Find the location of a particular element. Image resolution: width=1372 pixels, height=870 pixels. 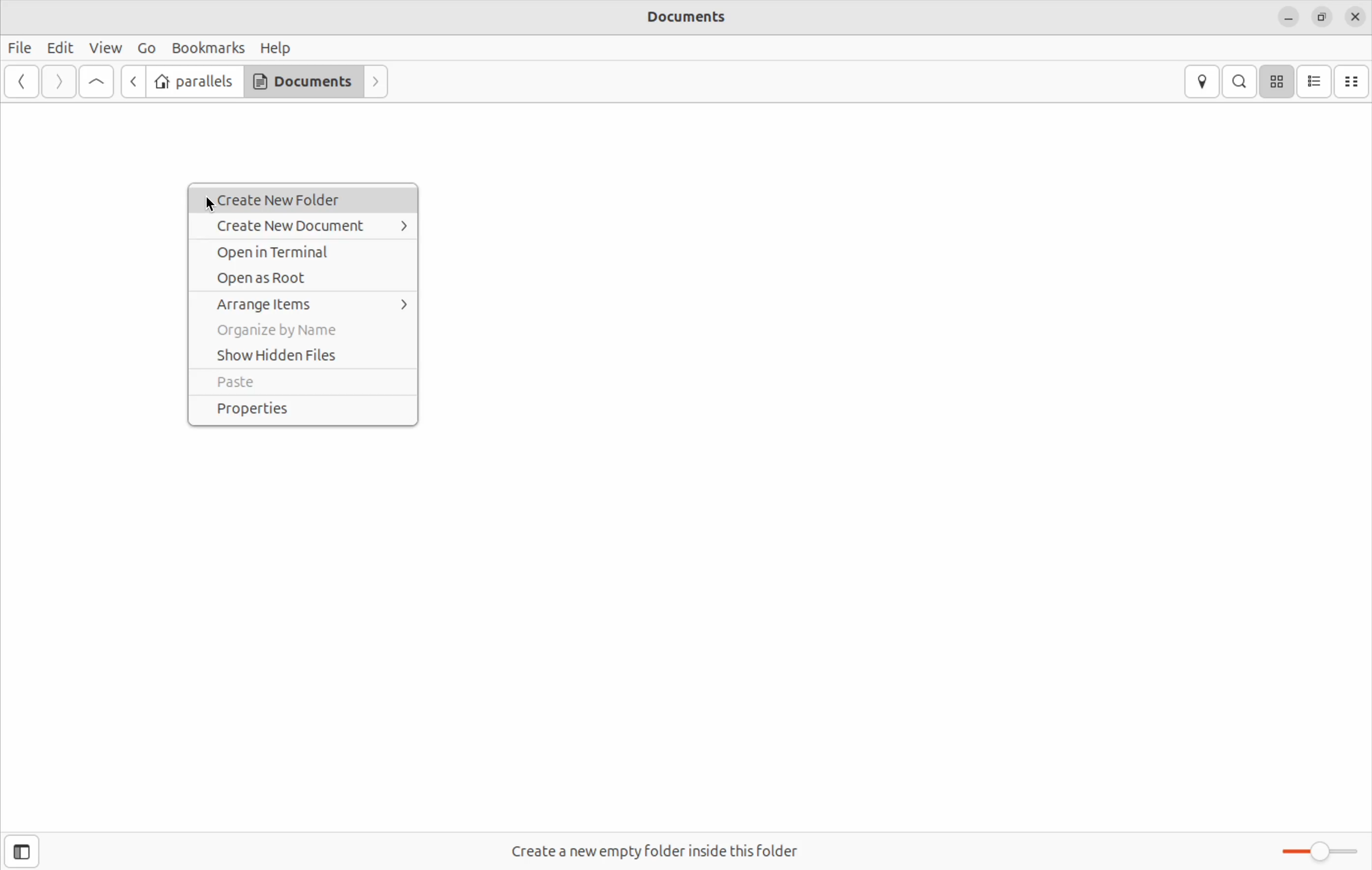

forward is located at coordinates (58, 81).